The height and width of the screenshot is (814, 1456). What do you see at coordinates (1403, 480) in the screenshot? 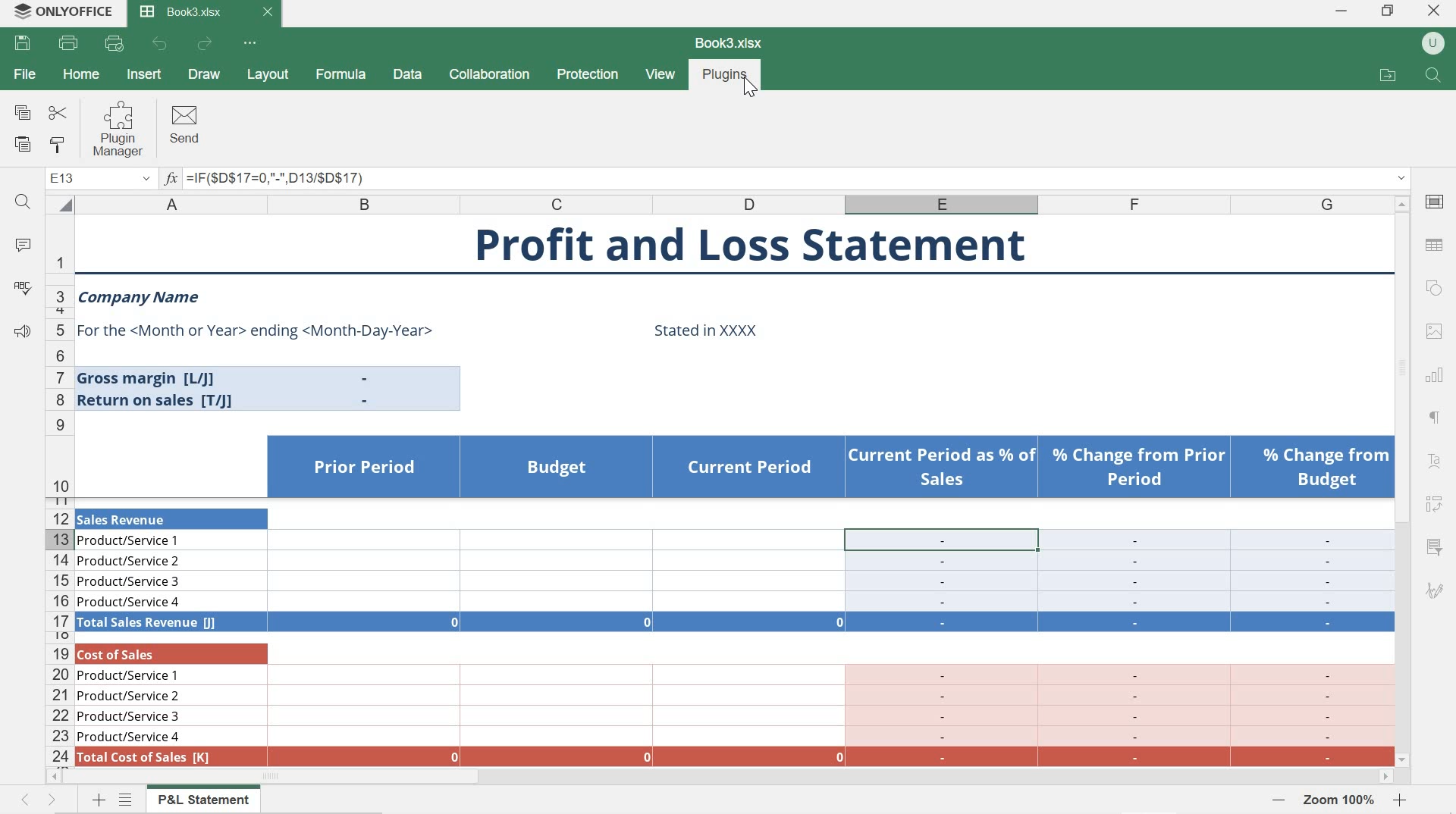
I see `scrollbar` at bounding box center [1403, 480].